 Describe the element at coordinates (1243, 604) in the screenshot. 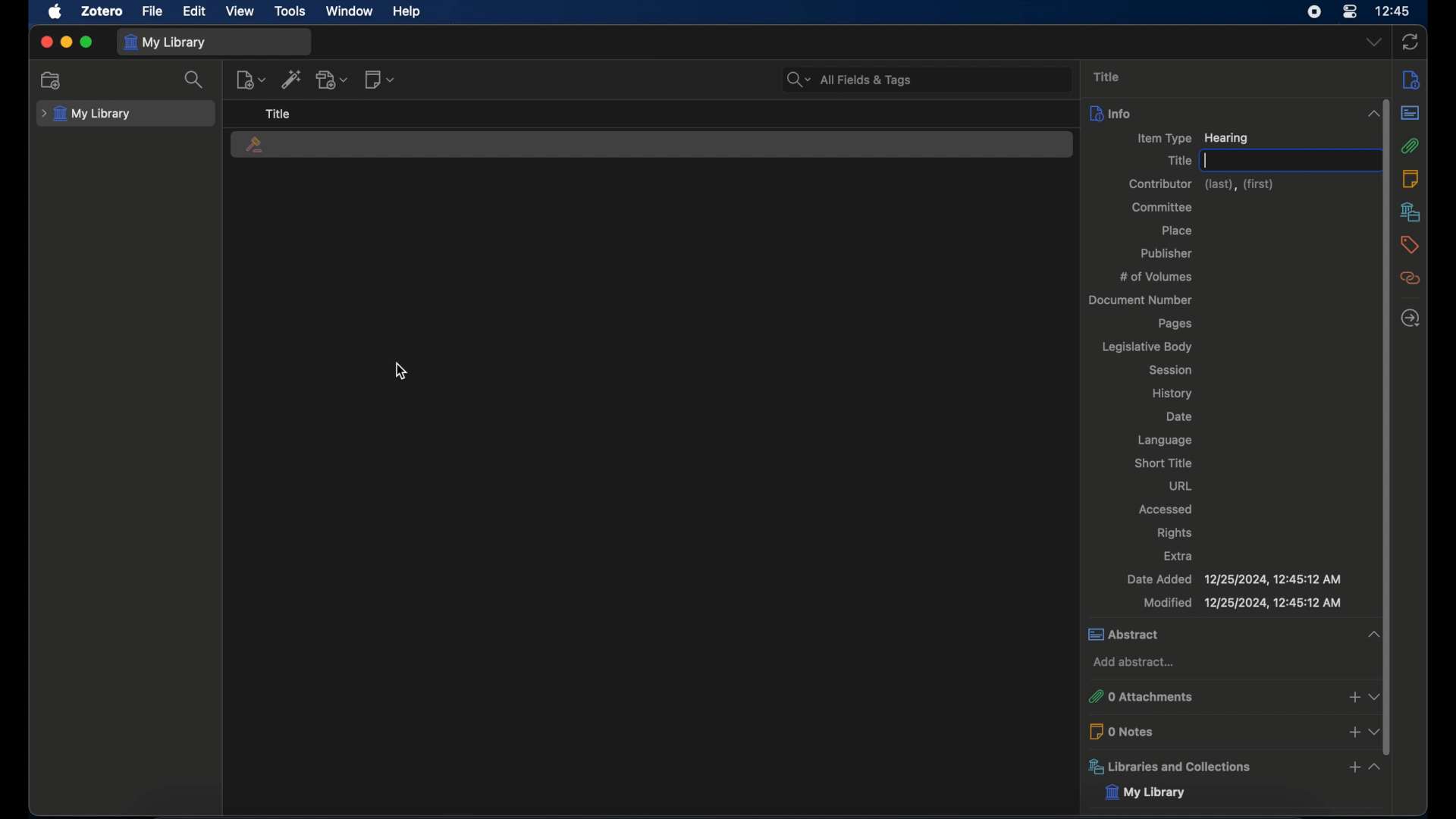

I see `modified` at that location.